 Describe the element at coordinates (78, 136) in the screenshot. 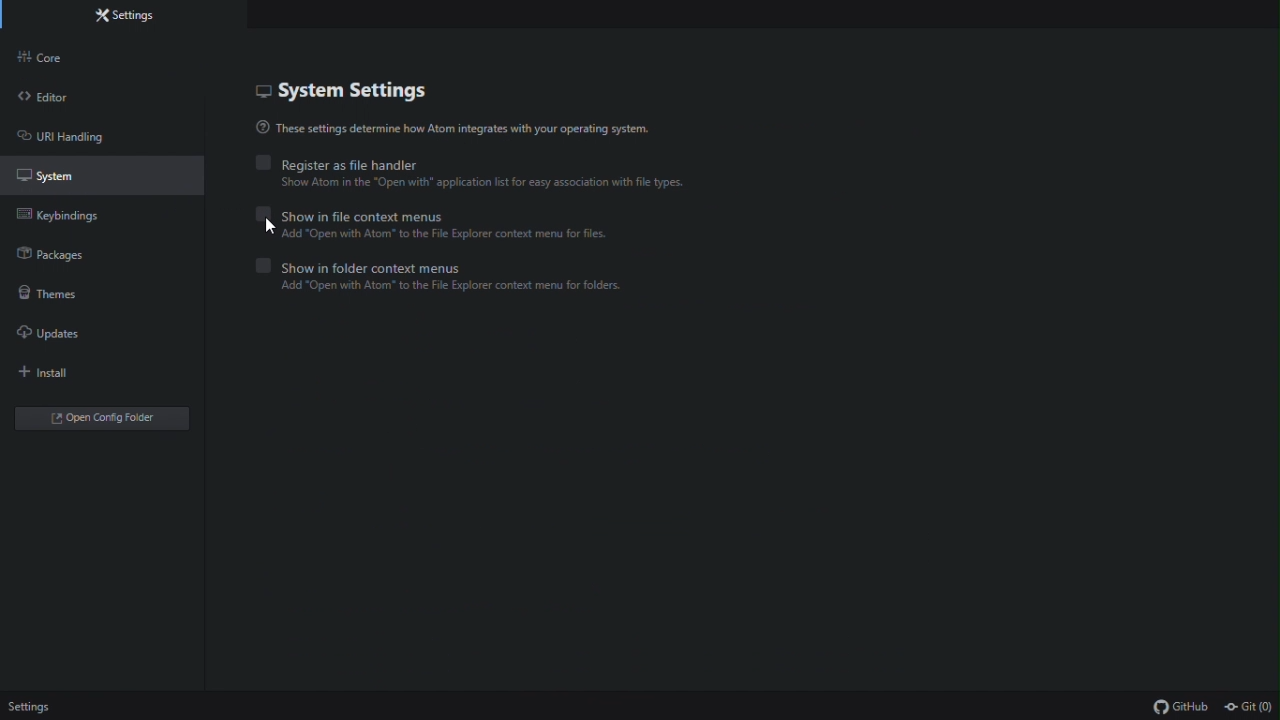

I see `URL handling` at that location.